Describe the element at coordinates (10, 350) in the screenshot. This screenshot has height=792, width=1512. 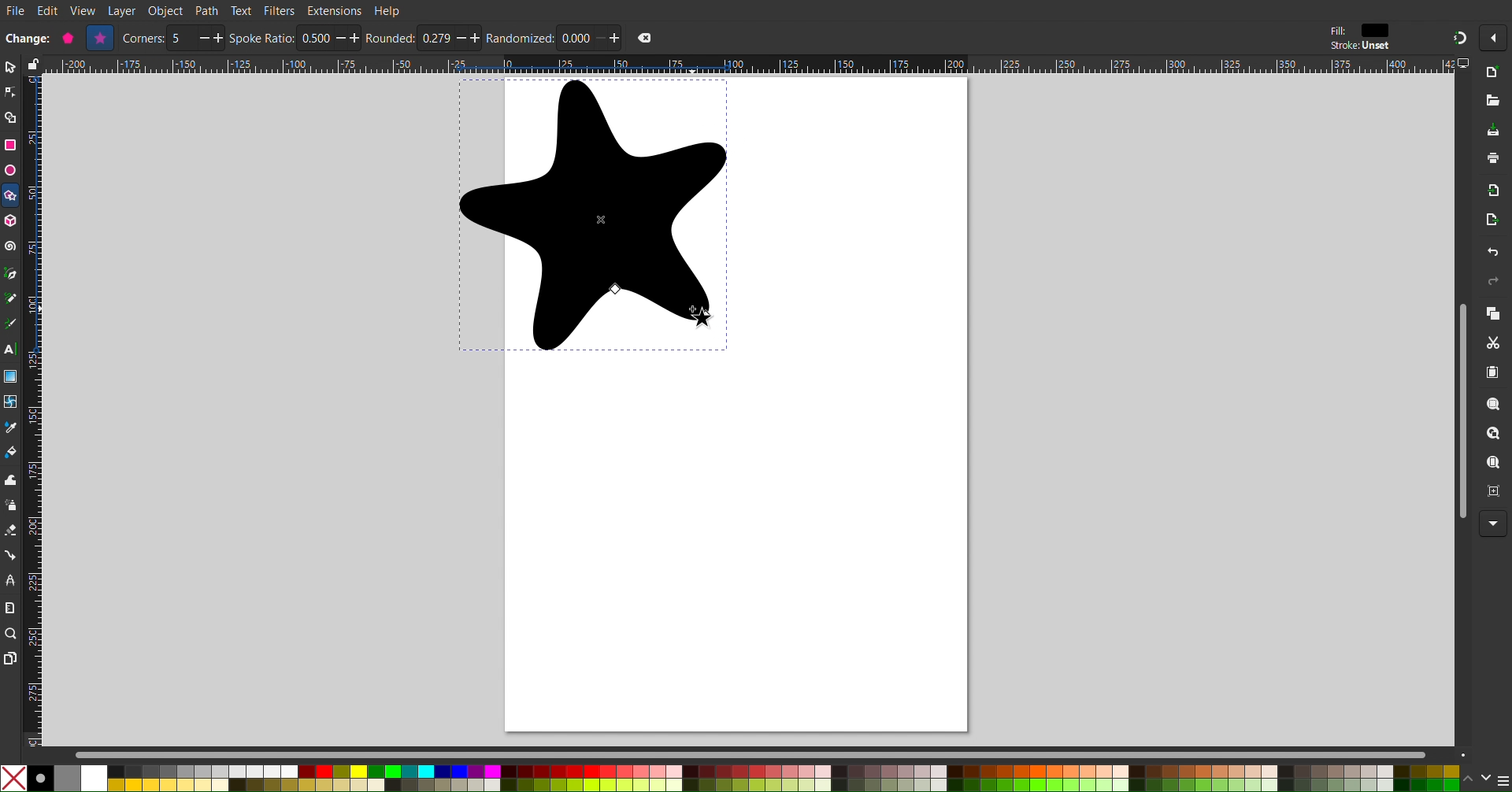
I see `Text Tool` at that location.